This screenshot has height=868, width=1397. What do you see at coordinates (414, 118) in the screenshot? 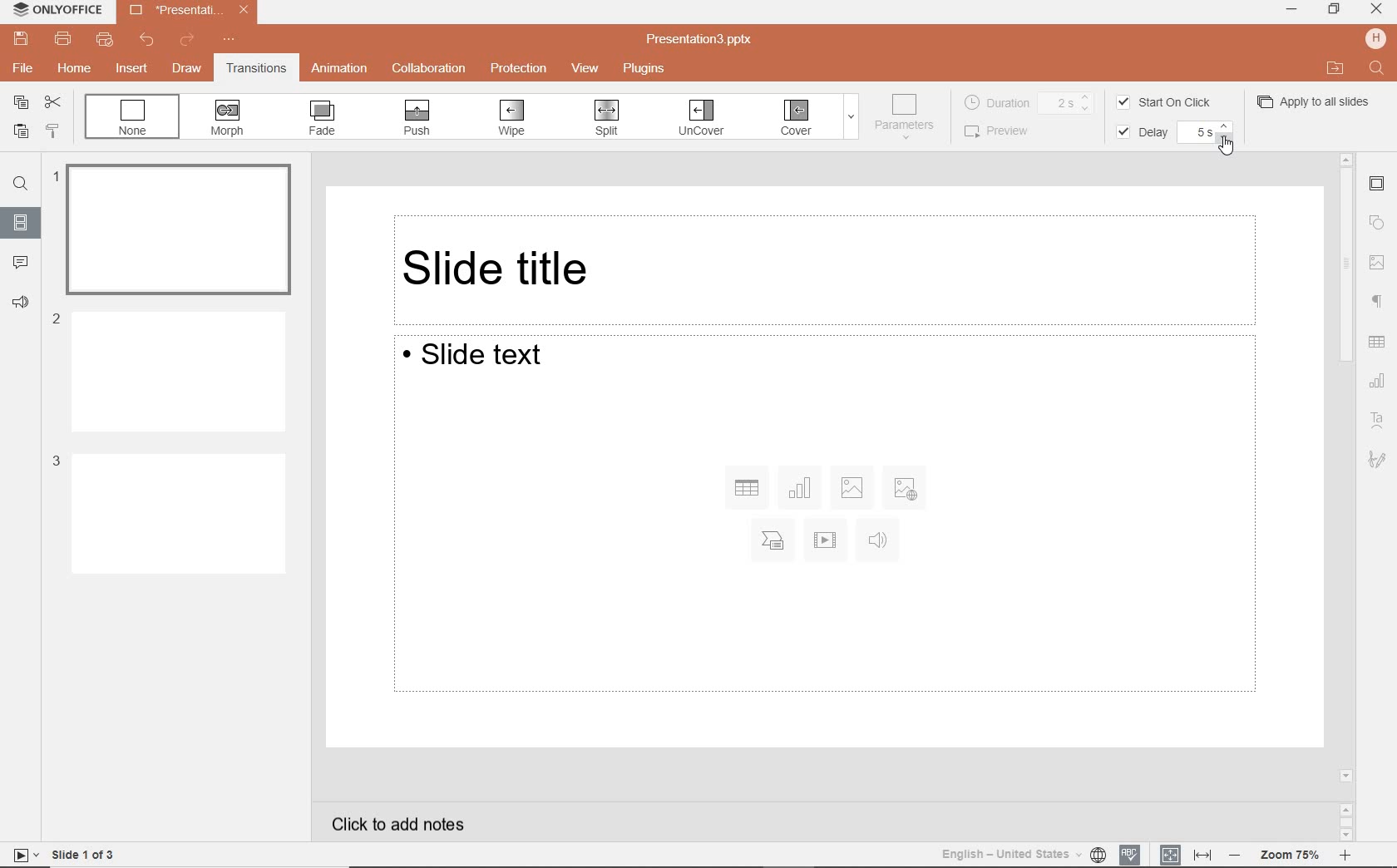
I see `PUSH` at bounding box center [414, 118].